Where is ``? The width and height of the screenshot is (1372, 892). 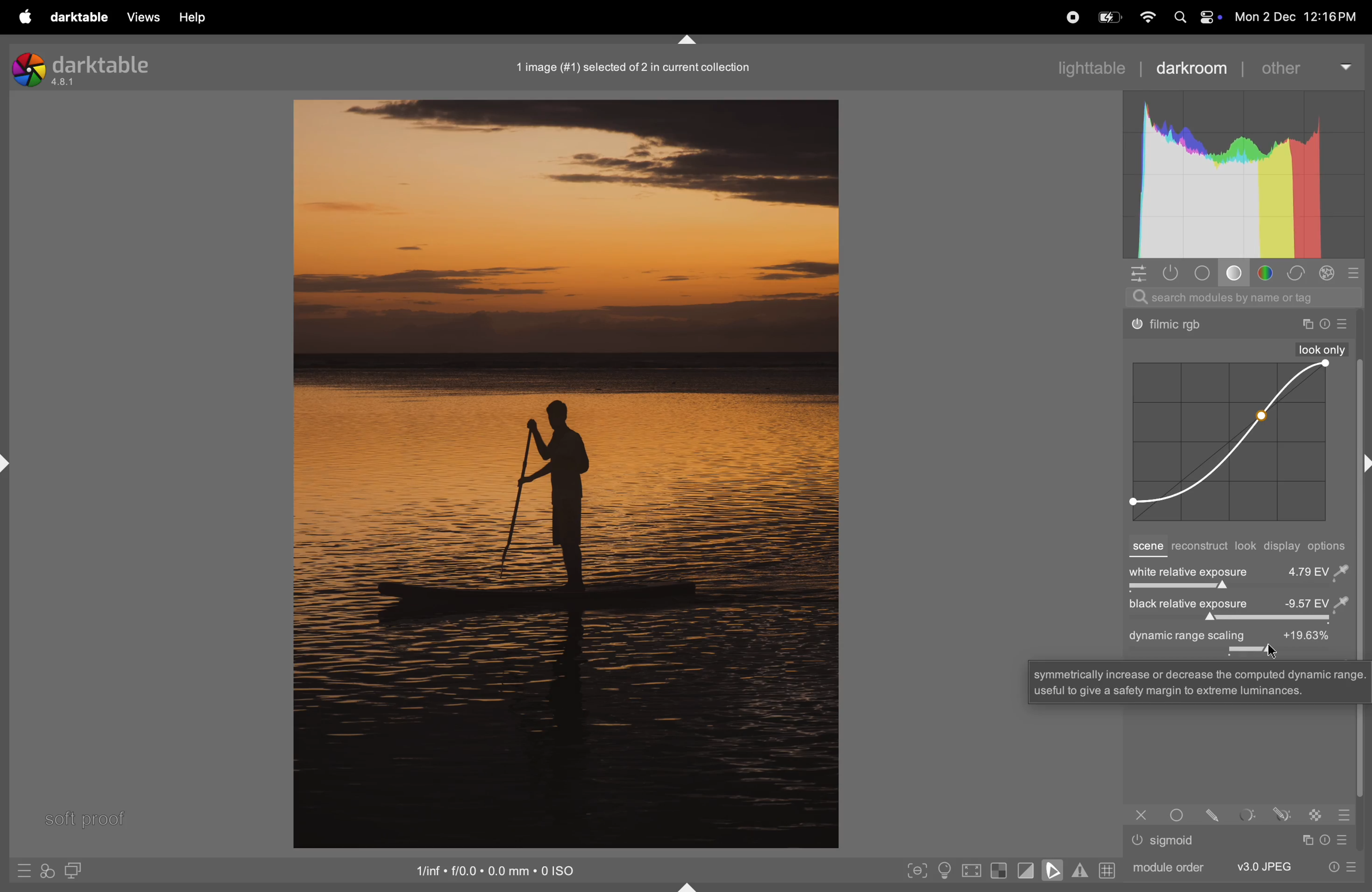
 is located at coordinates (1141, 815).